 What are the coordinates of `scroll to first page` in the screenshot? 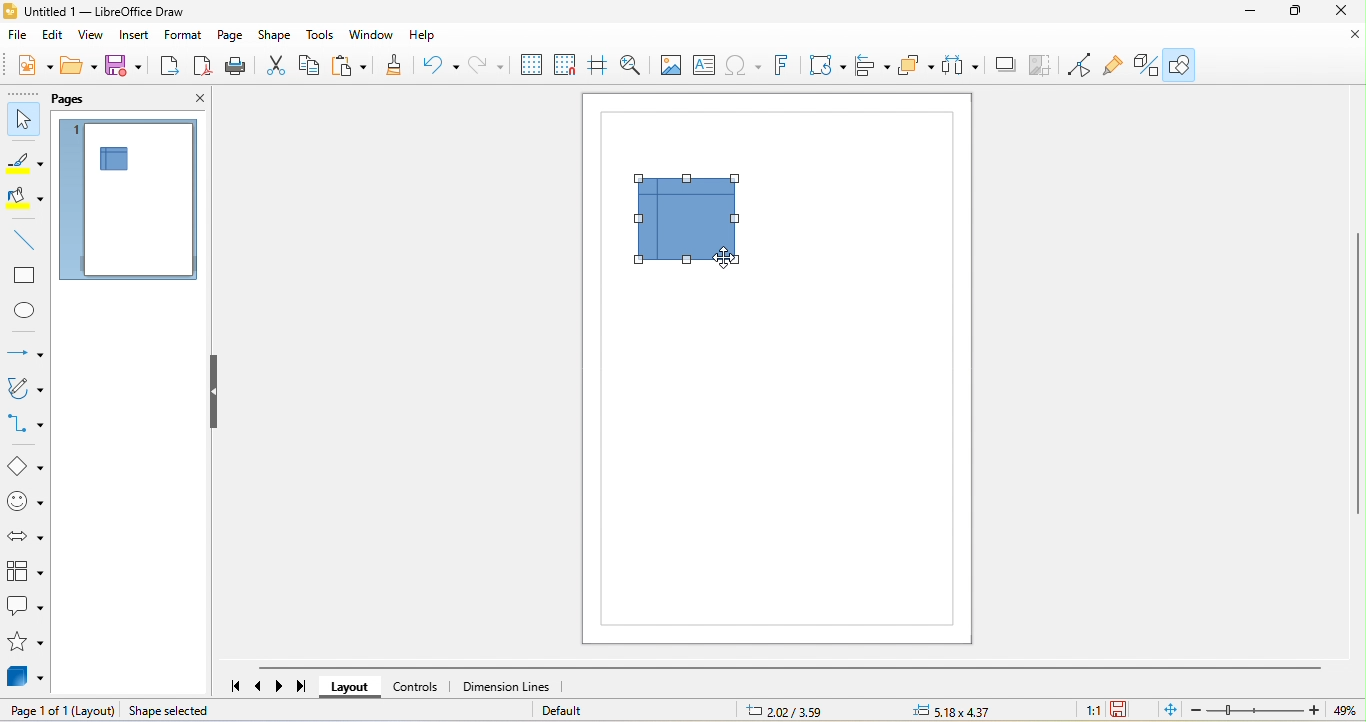 It's located at (233, 687).